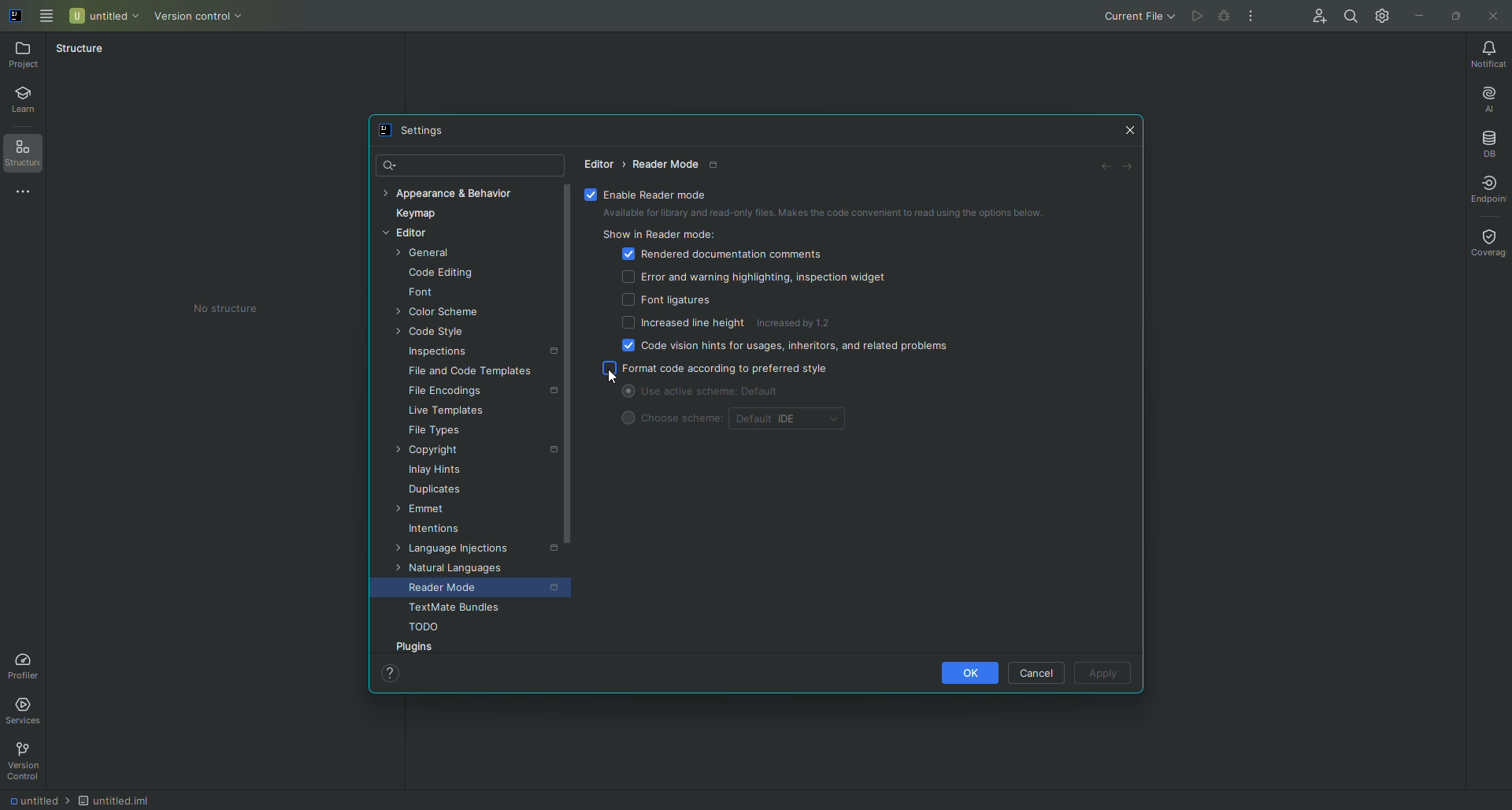  What do you see at coordinates (417, 647) in the screenshot?
I see `Plugins` at bounding box center [417, 647].